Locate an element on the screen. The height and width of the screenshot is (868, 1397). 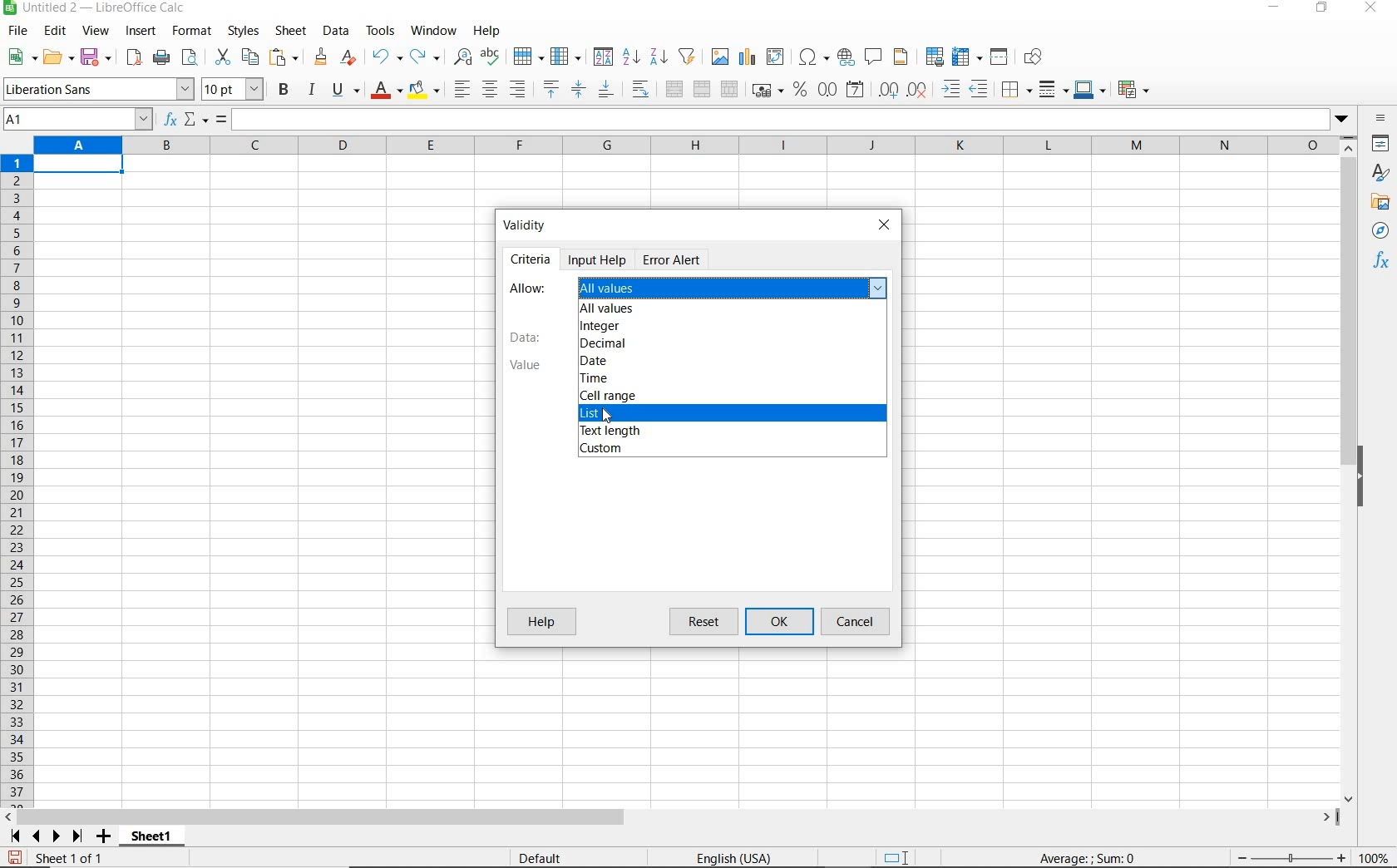
align top is located at coordinates (550, 90).